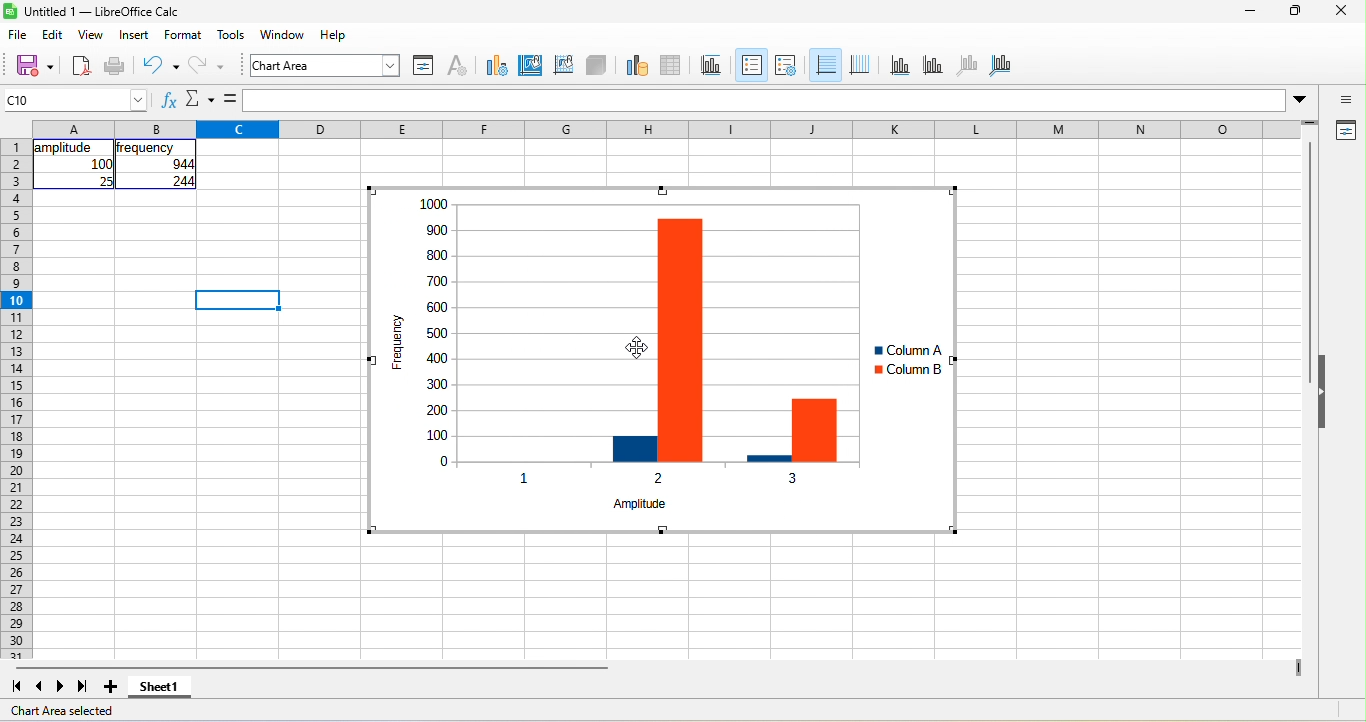 The width and height of the screenshot is (1366, 722). What do you see at coordinates (183, 164) in the screenshot?
I see `044` at bounding box center [183, 164].